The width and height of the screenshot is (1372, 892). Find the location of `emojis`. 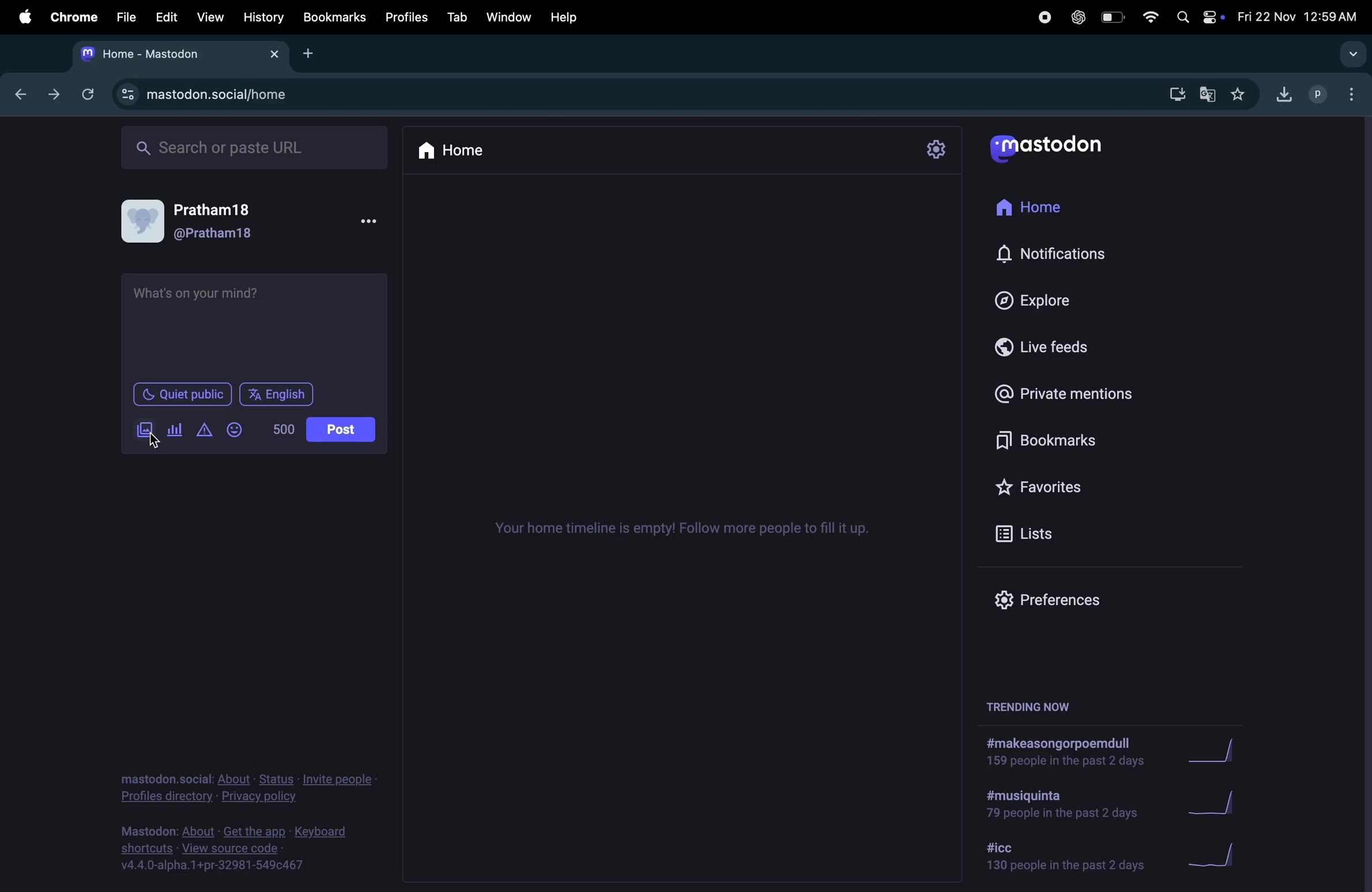

emojis is located at coordinates (240, 432).